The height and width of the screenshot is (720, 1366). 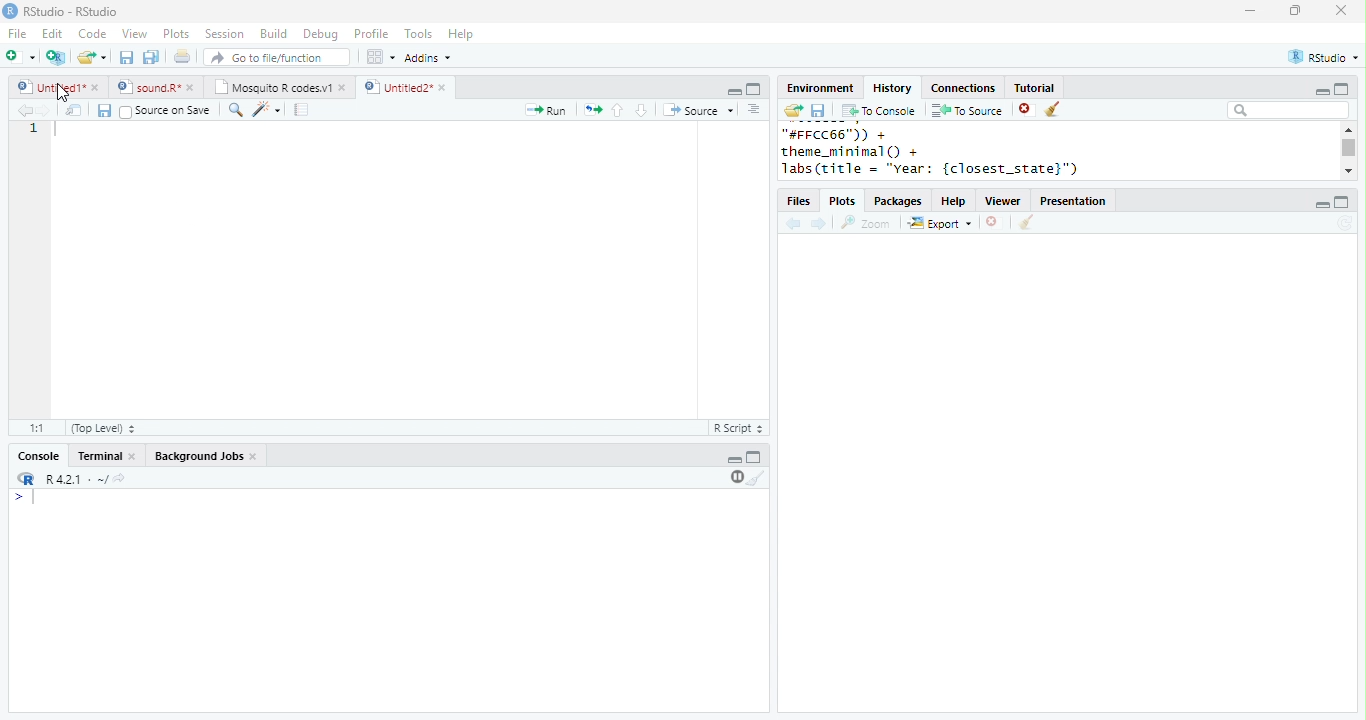 I want to click on Debug, so click(x=321, y=35).